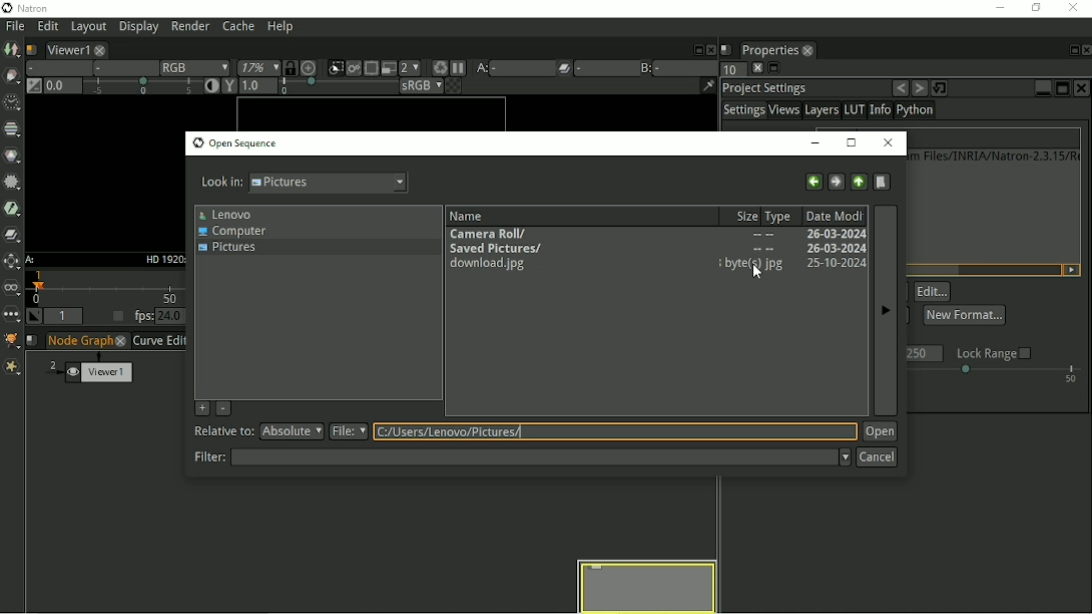  I want to click on Close, so click(889, 143).